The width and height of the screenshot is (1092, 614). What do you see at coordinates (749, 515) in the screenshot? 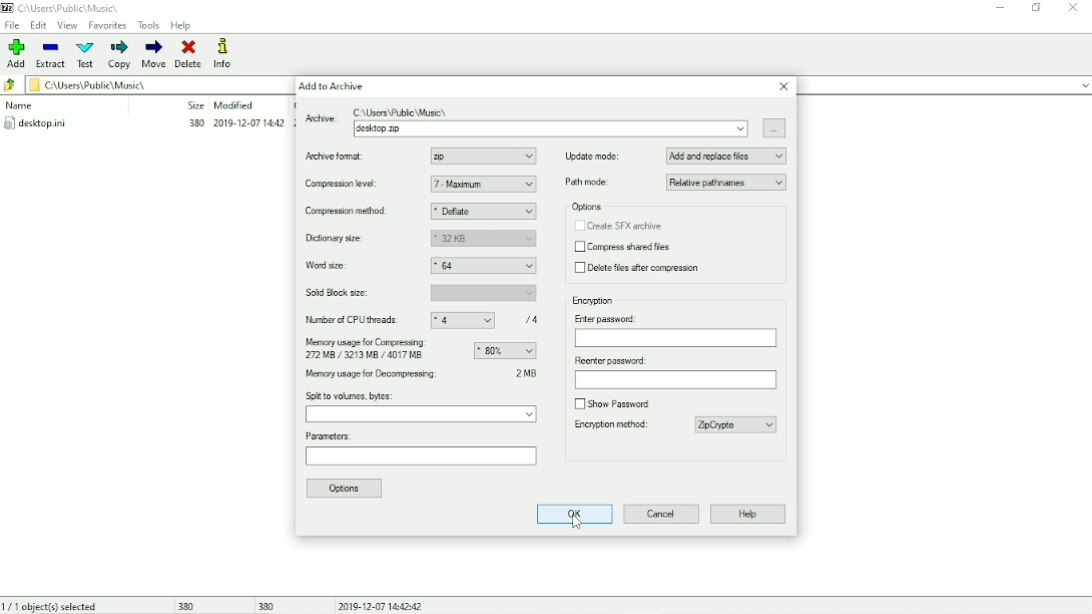
I see `Help` at bounding box center [749, 515].